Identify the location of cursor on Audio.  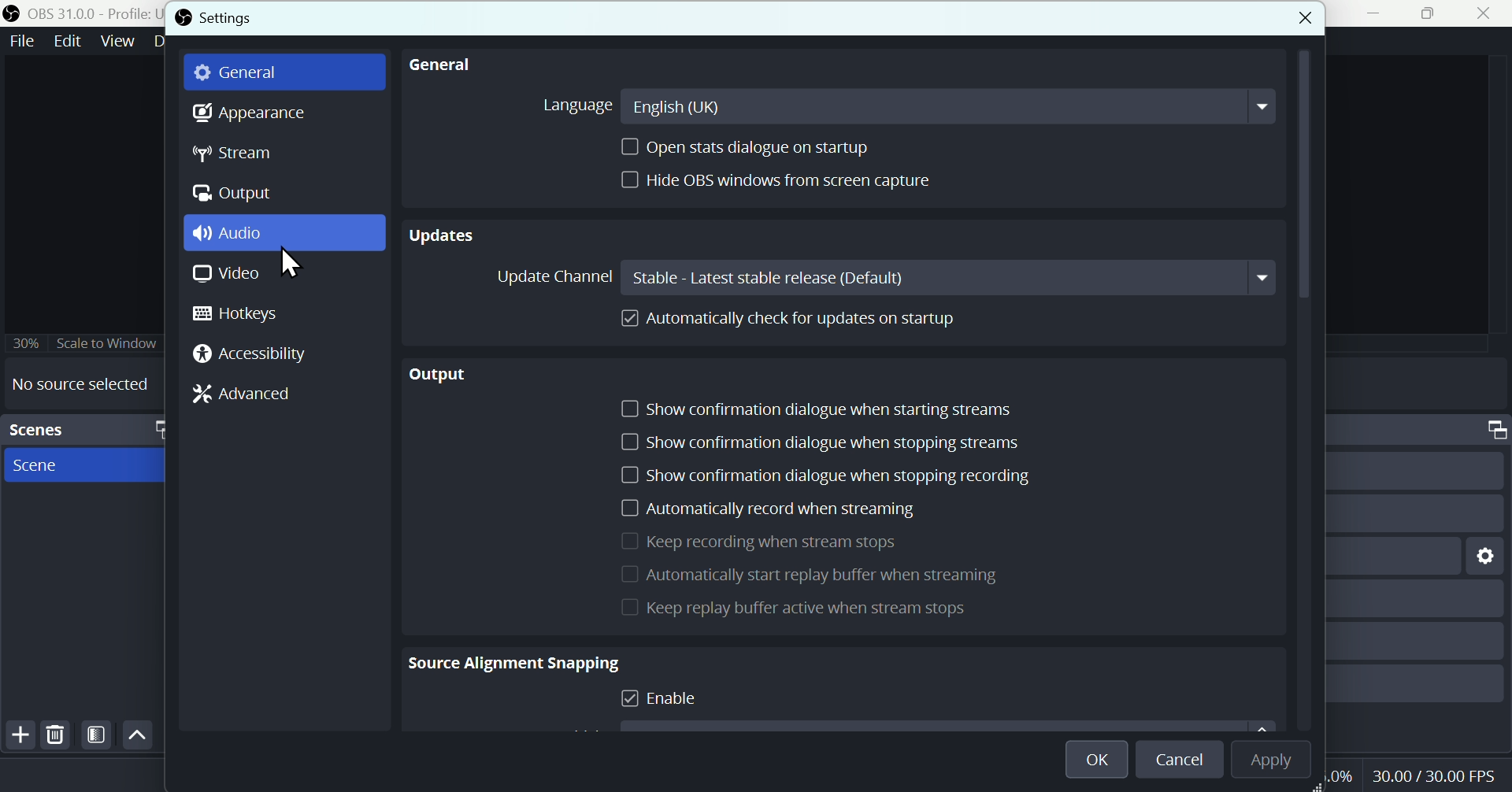
(293, 263).